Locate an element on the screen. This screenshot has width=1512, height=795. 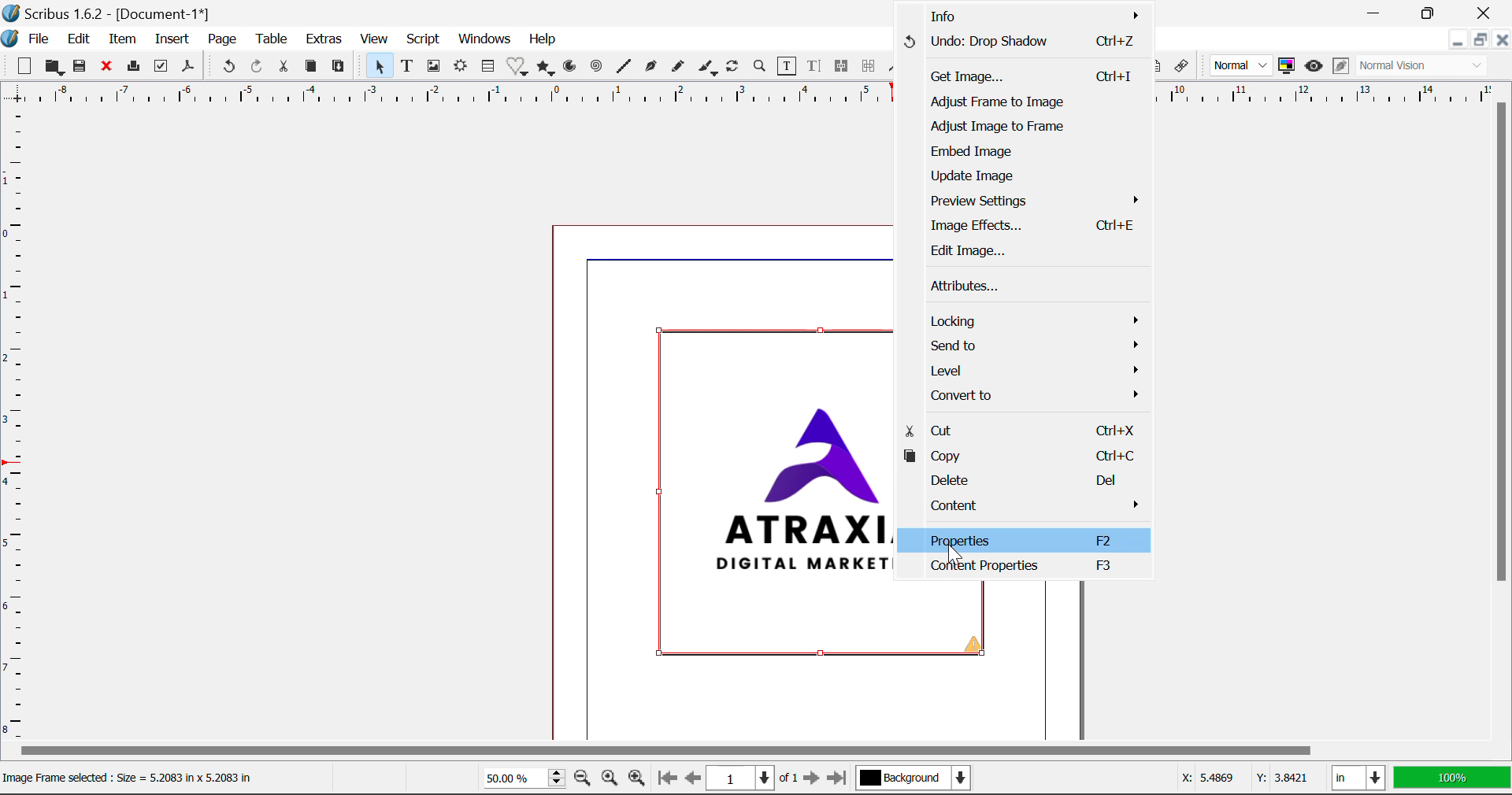
Discard is located at coordinates (109, 68).